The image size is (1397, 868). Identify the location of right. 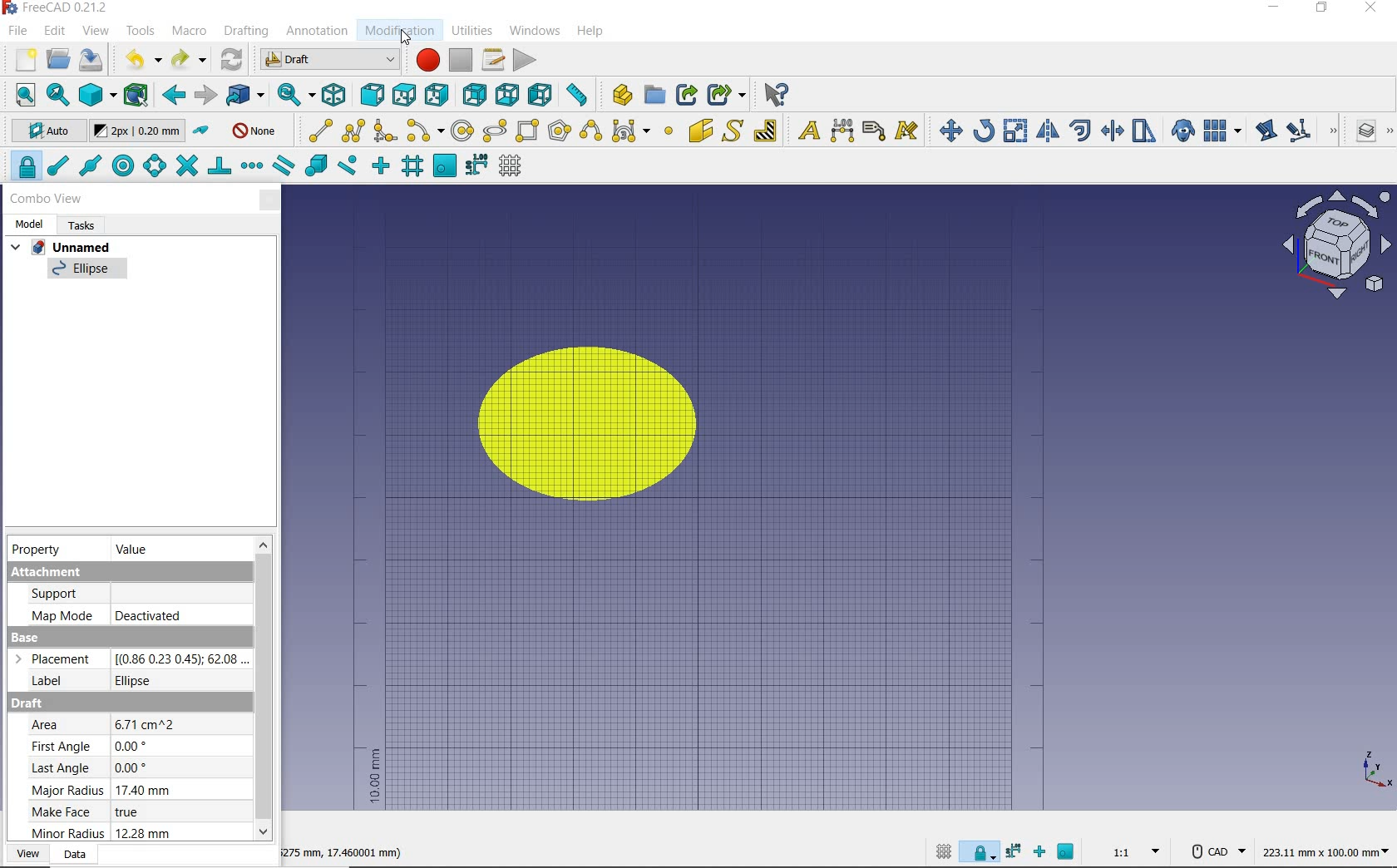
(440, 95).